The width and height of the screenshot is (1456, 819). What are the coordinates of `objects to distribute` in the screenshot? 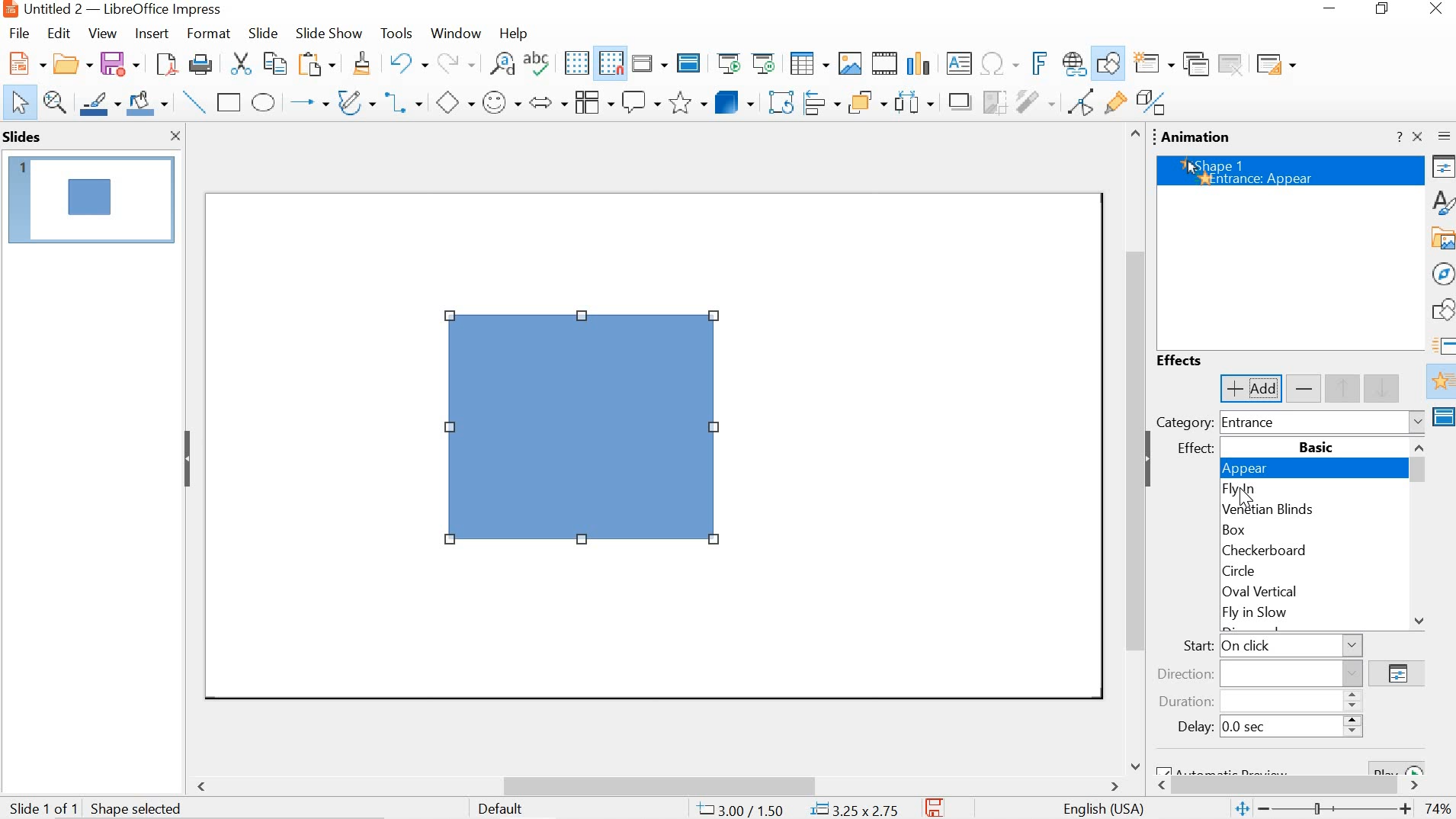 It's located at (915, 100).